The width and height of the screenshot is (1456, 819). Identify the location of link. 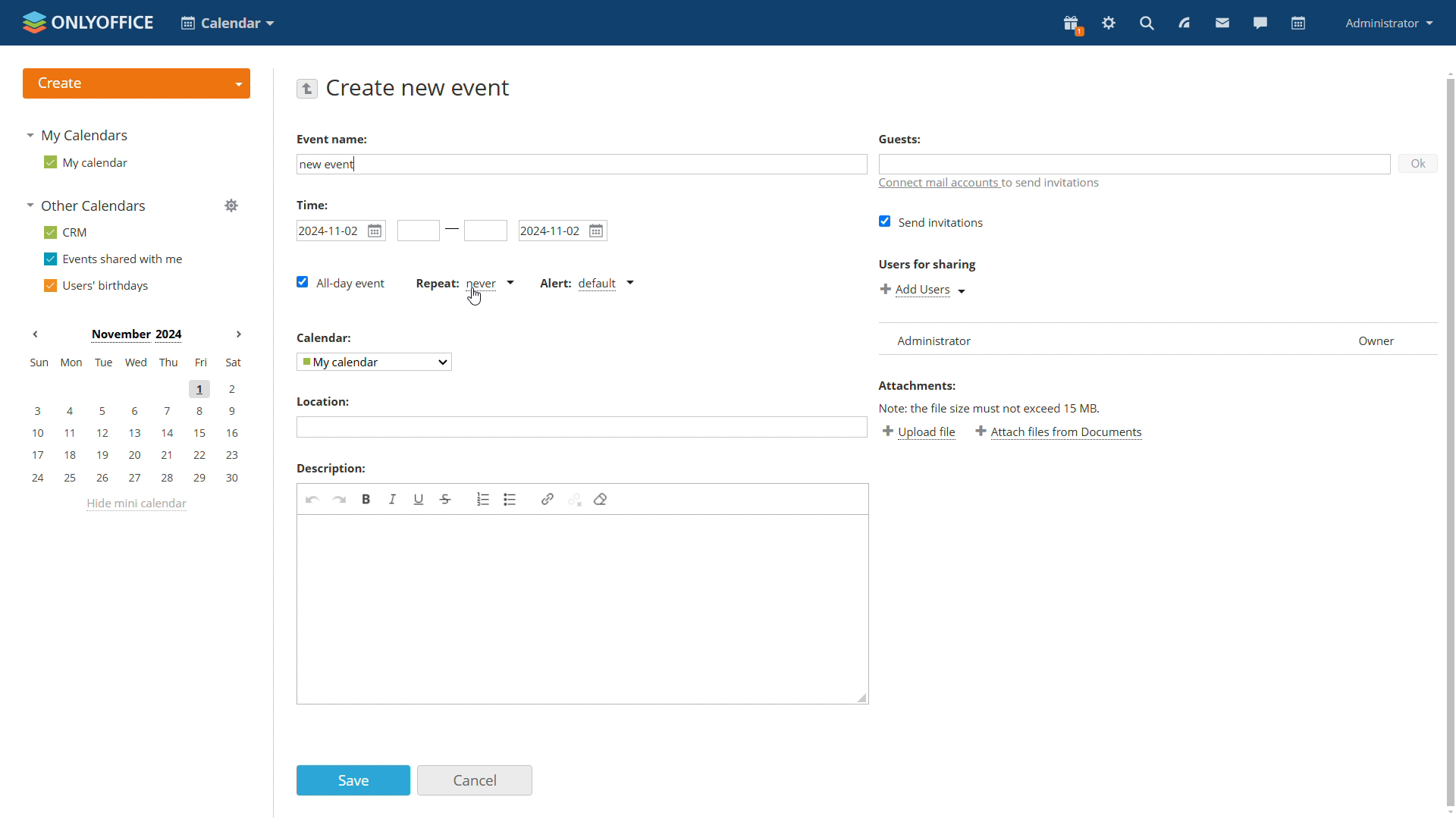
(548, 499).